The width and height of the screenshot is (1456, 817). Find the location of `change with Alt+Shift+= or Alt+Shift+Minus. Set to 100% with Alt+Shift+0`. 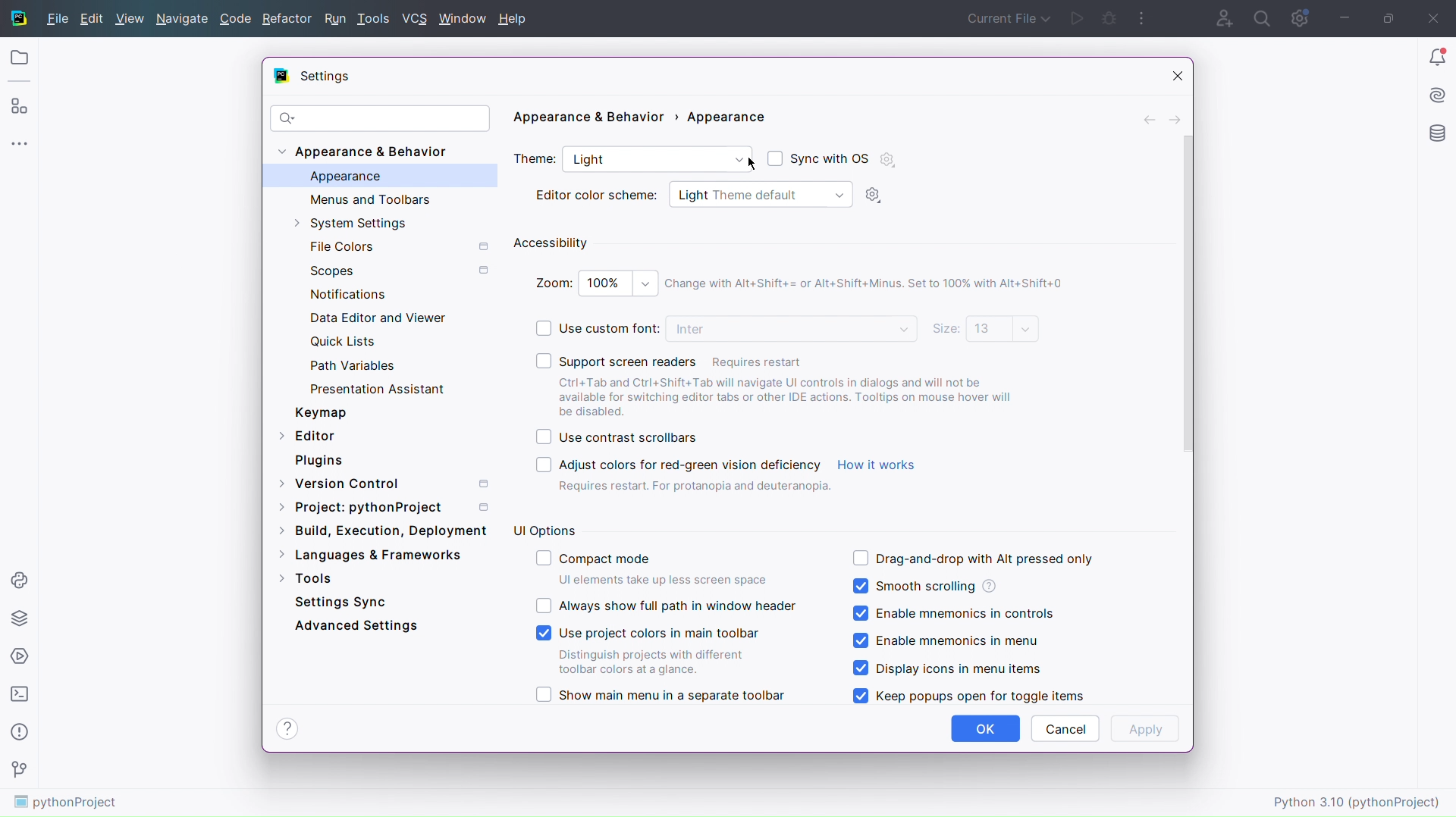

change with Alt+Shift+= or Alt+Shift+Minus. Set to 100% with Alt+Shift+0 is located at coordinates (875, 283).